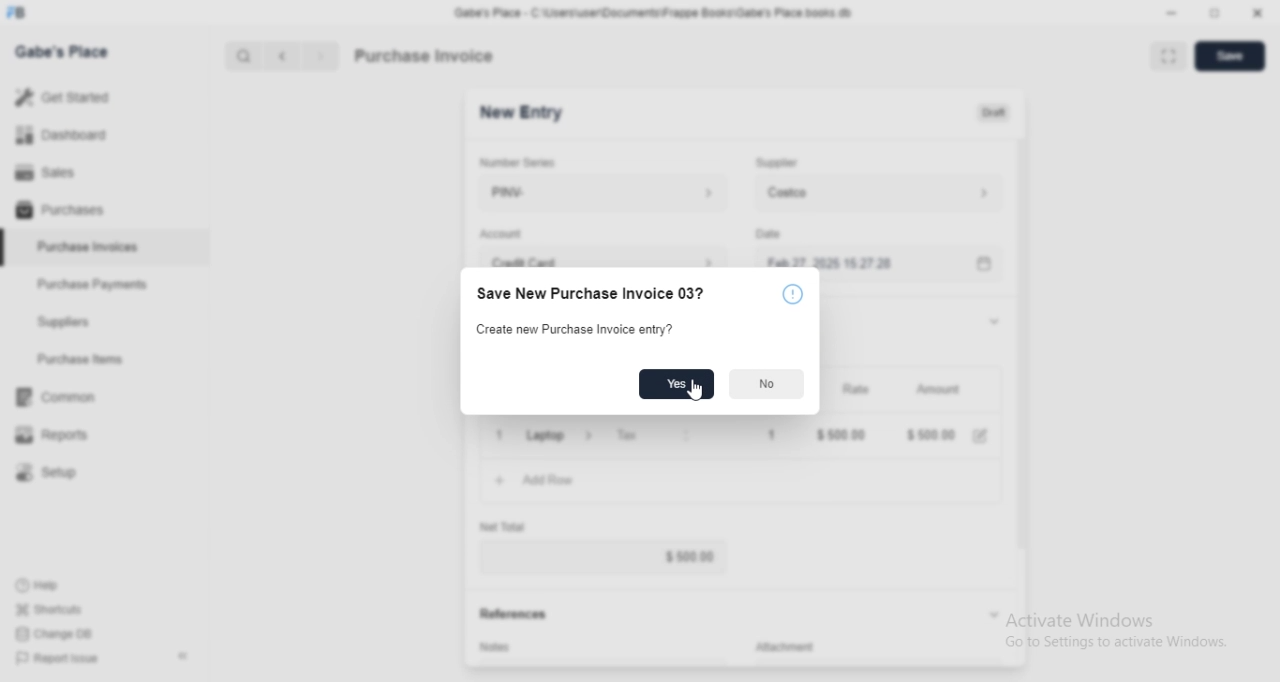  What do you see at coordinates (1117, 630) in the screenshot?
I see `Activate Windows Go to Settings to activate Windows.` at bounding box center [1117, 630].